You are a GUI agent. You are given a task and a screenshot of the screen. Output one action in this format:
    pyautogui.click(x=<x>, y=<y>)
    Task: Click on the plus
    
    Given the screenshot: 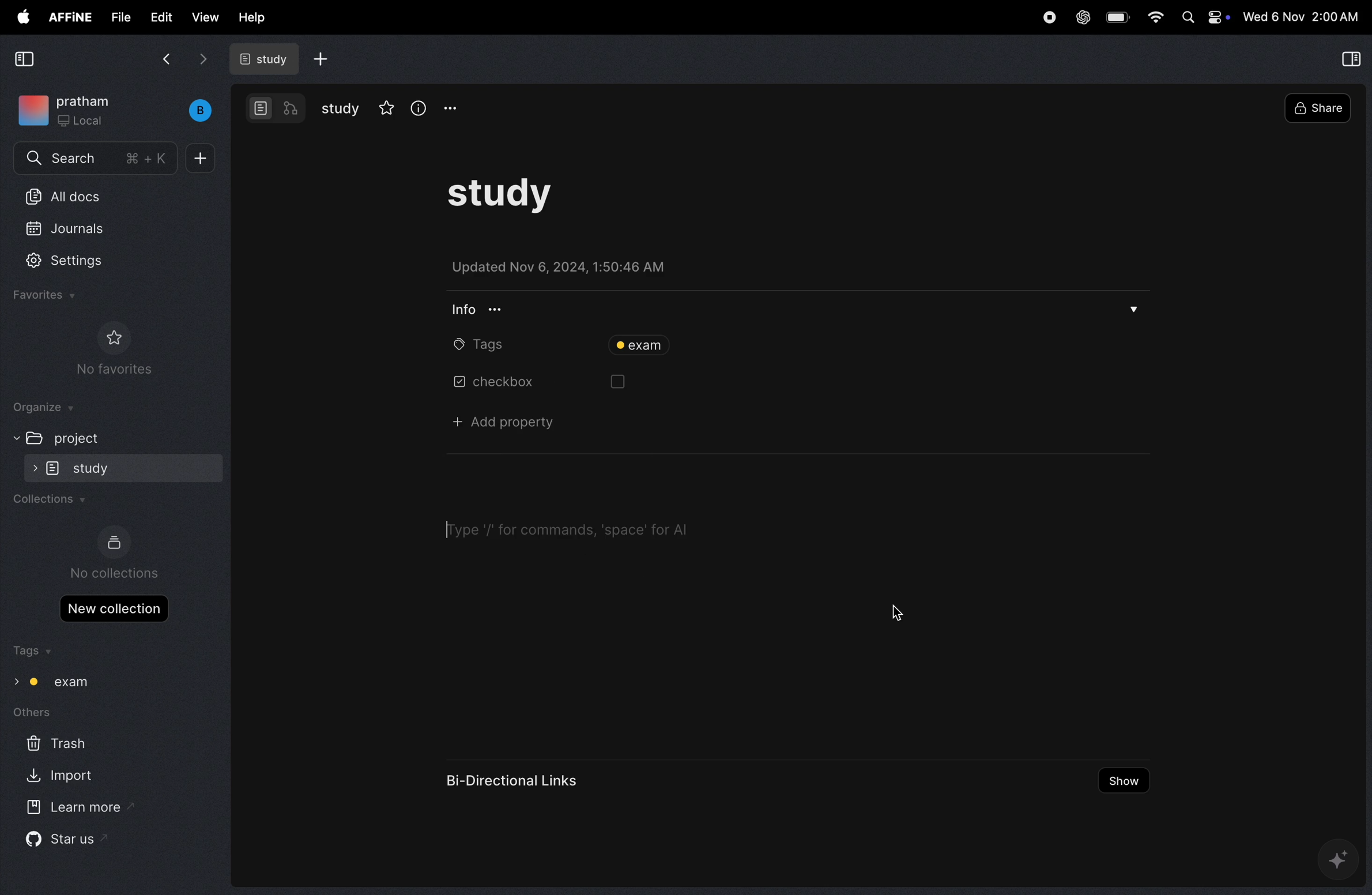 What is the action you would take?
    pyautogui.click(x=201, y=157)
    